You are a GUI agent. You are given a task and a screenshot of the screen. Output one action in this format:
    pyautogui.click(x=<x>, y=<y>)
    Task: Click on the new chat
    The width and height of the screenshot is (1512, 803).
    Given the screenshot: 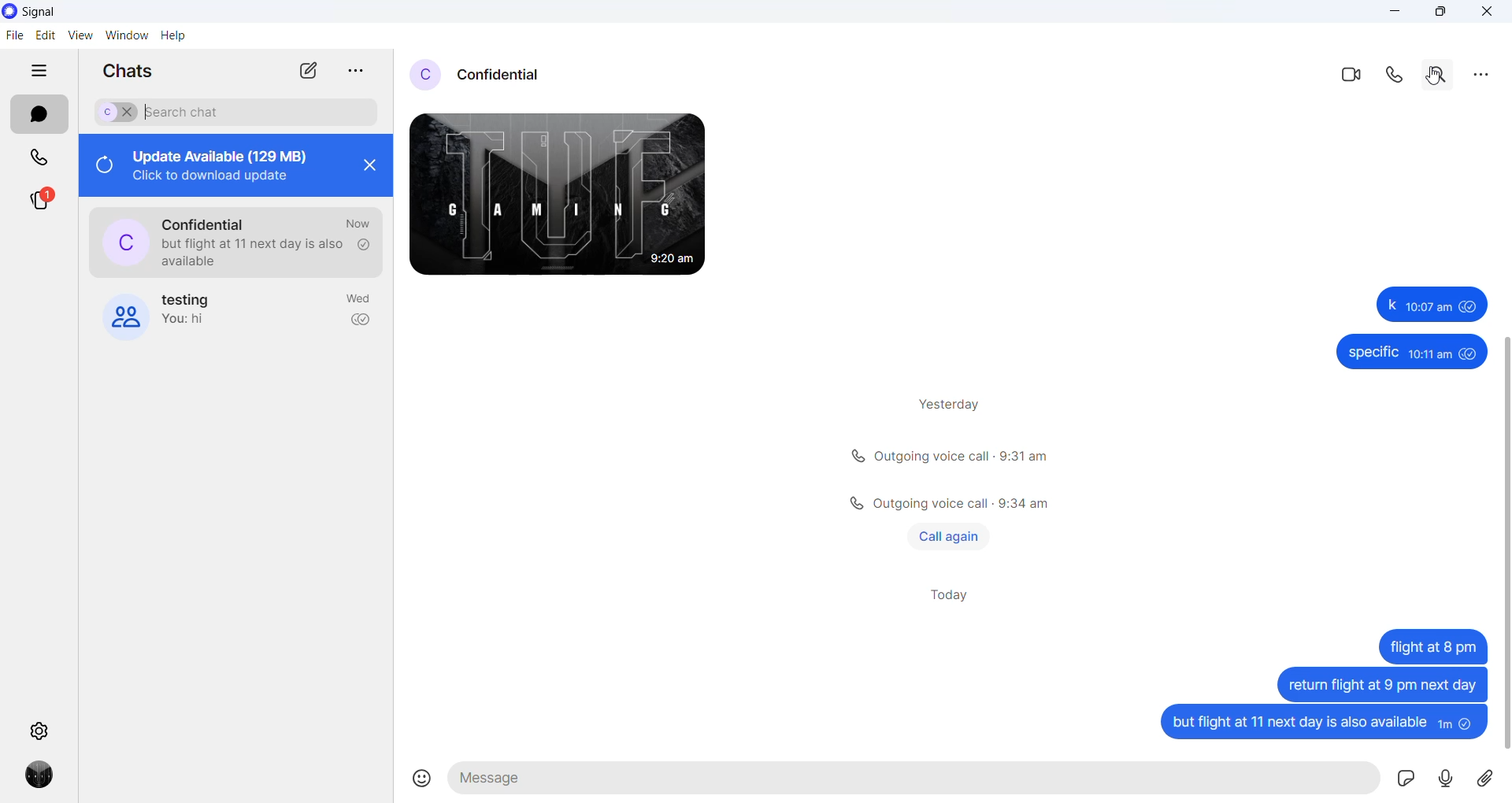 What is the action you would take?
    pyautogui.click(x=306, y=69)
    